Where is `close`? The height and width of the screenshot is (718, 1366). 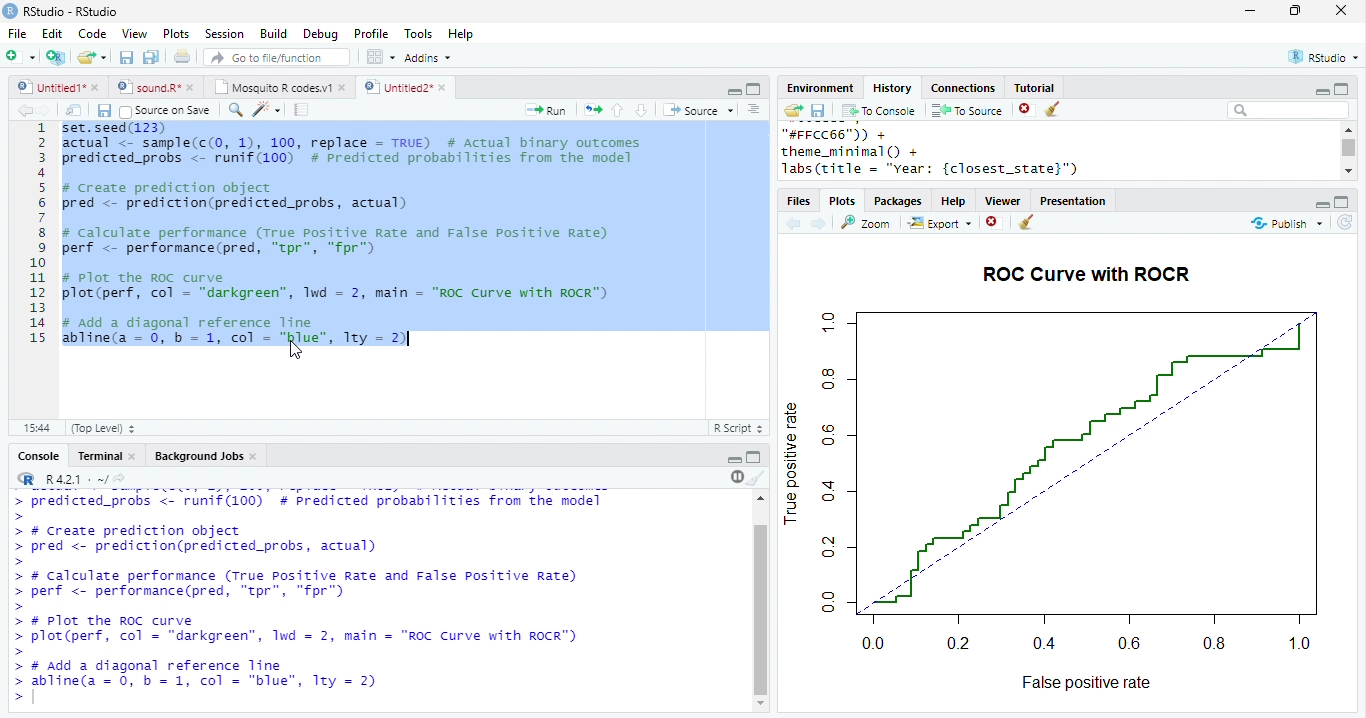 close is located at coordinates (97, 87).